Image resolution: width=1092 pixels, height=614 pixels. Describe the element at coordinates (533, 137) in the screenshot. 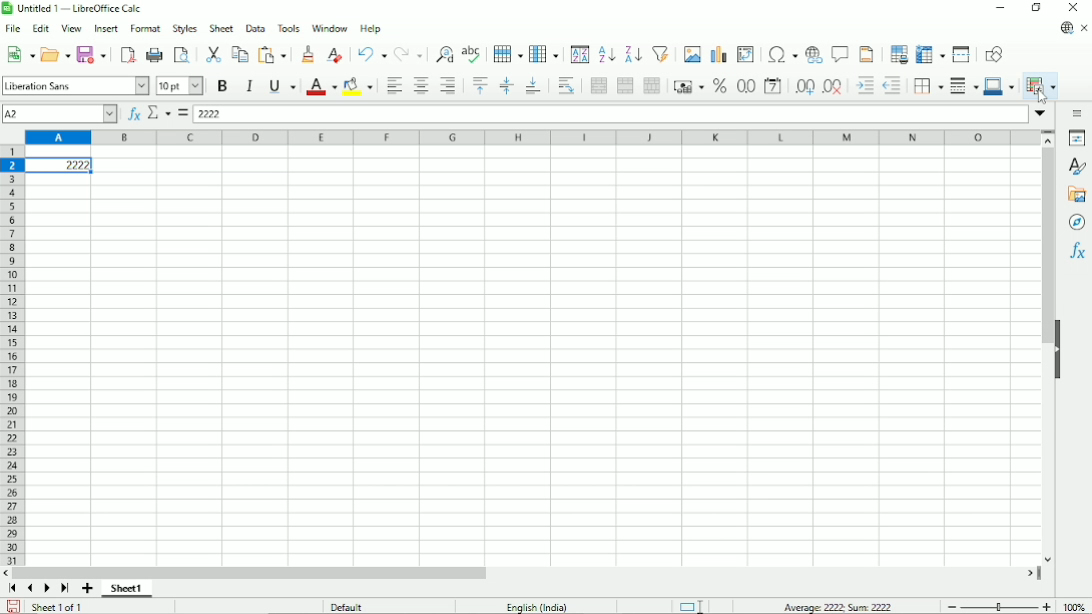

I see `Column headings` at that location.